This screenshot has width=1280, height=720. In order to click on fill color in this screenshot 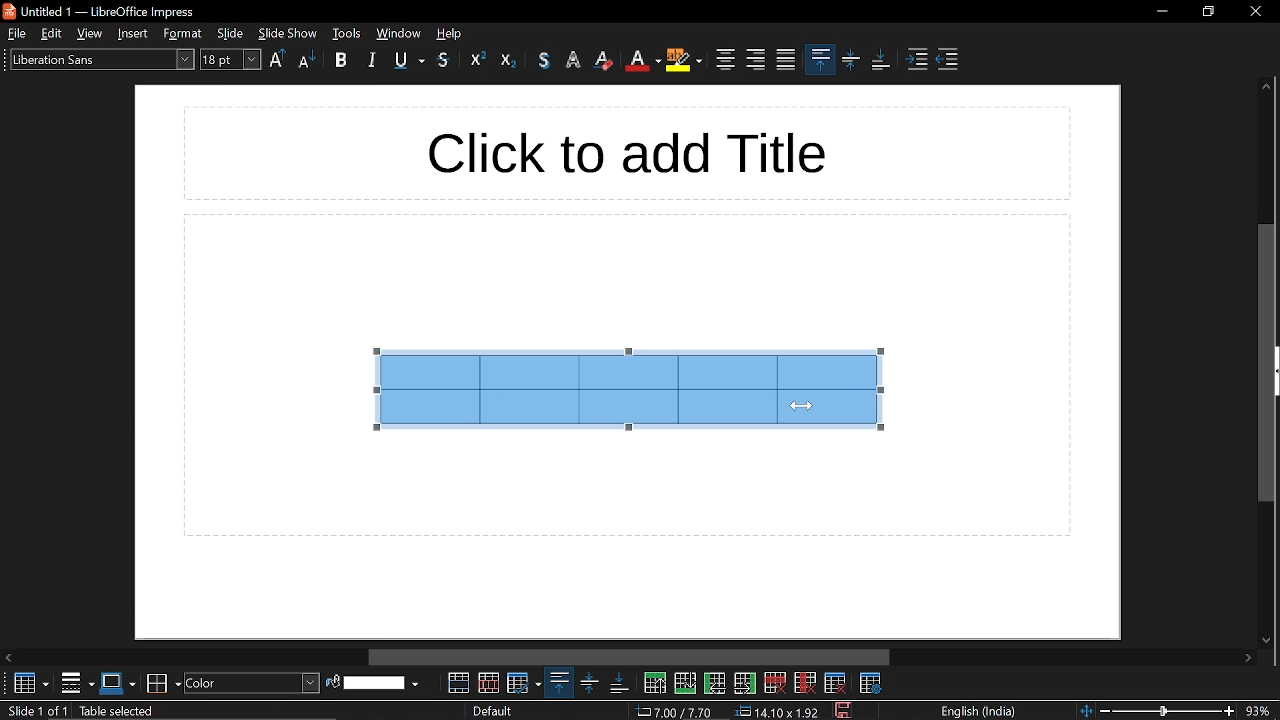, I will do `click(333, 681)`.